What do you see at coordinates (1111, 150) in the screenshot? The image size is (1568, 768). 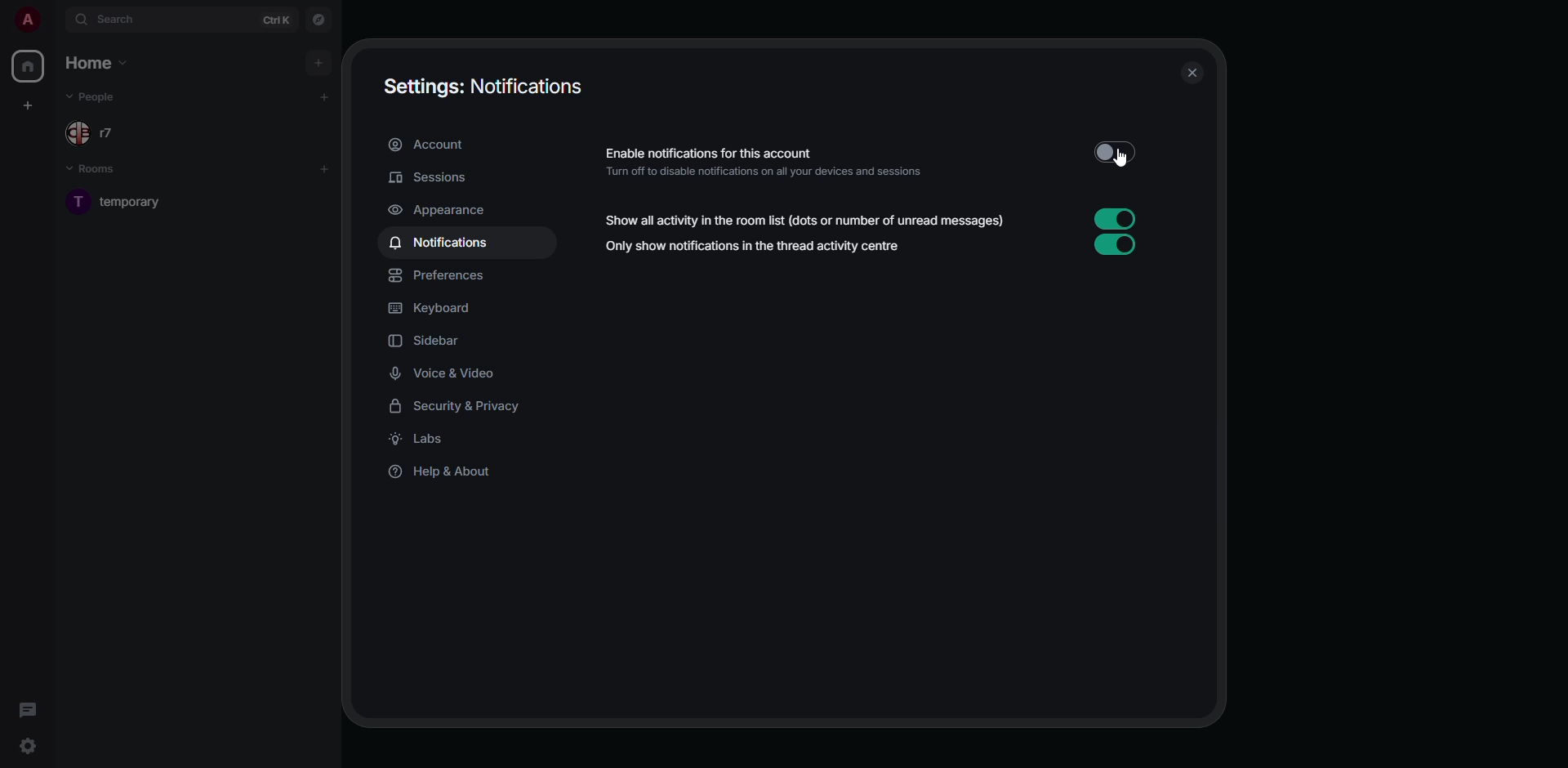 I see `click to enable` at bounding box center [1111, 150].